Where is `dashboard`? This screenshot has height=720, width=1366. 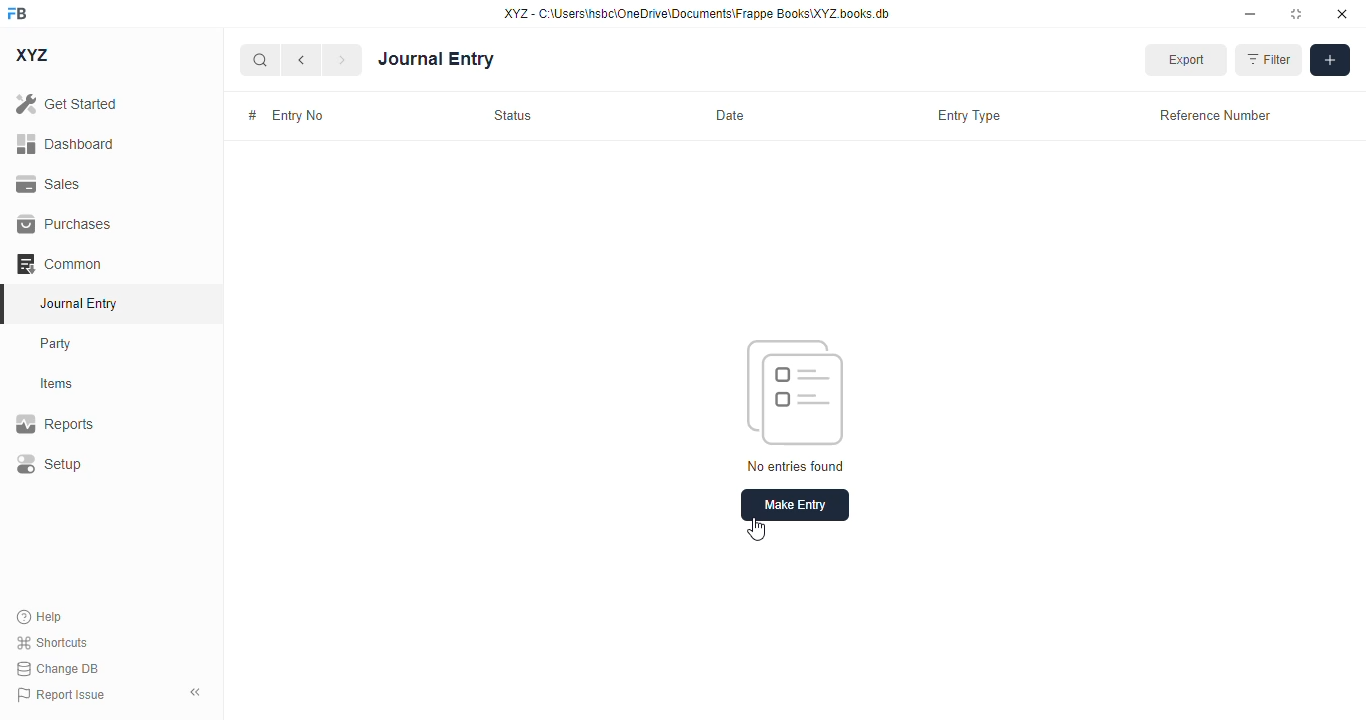 dashboard is located at coordinates (66, 144).